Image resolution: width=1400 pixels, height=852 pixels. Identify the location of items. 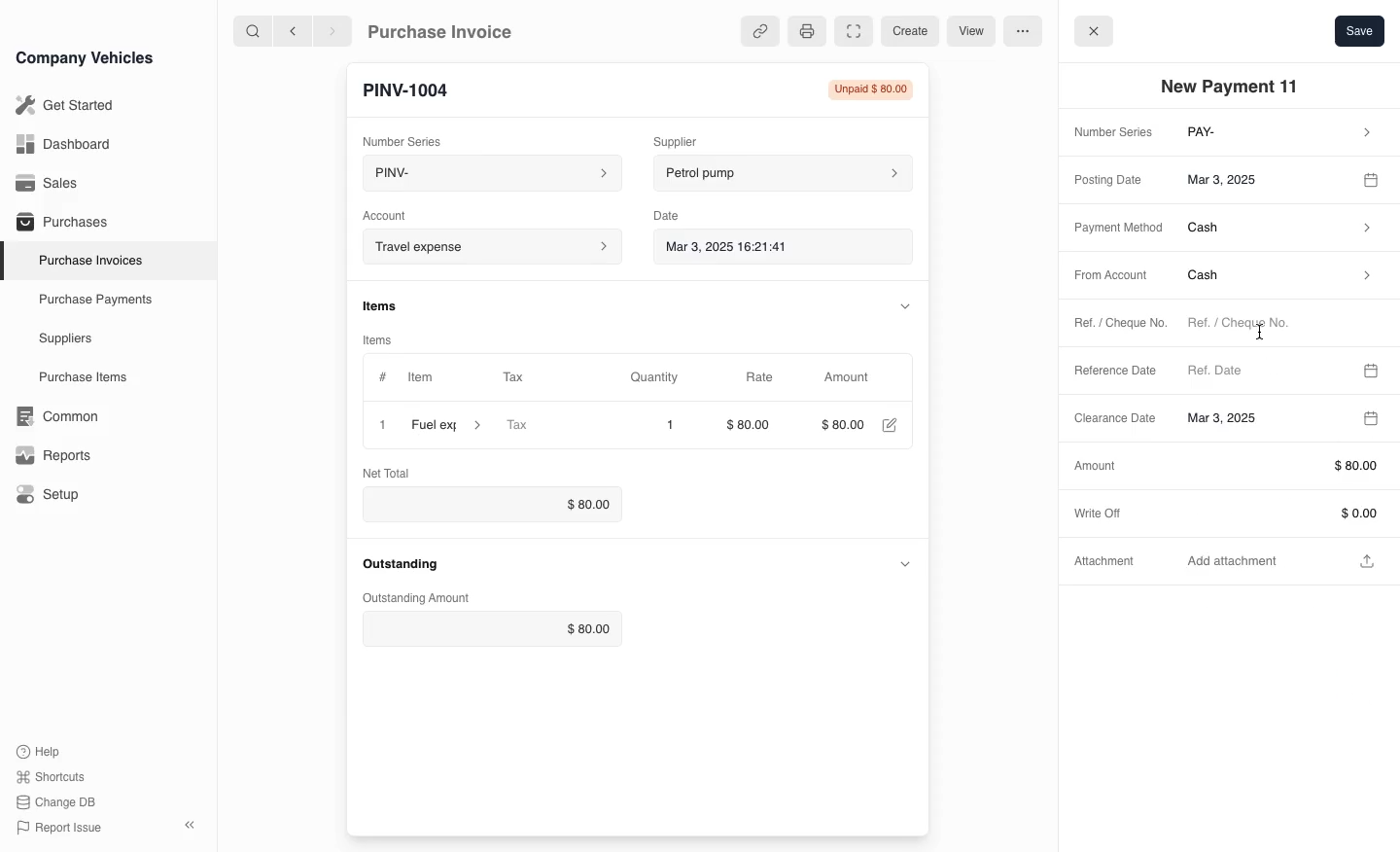
(388, 337).